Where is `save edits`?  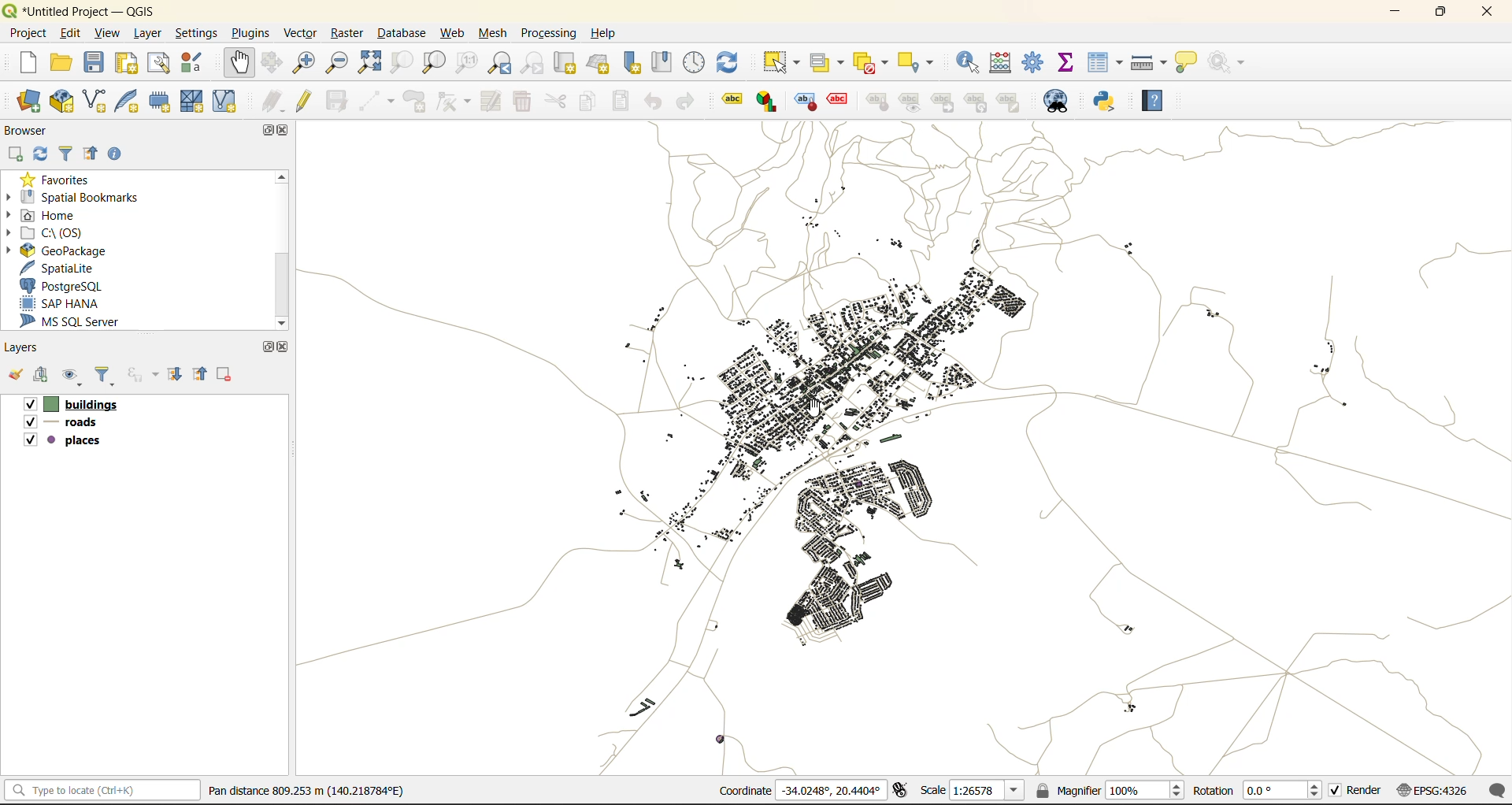 save edits is located at coordinates (336, 104).